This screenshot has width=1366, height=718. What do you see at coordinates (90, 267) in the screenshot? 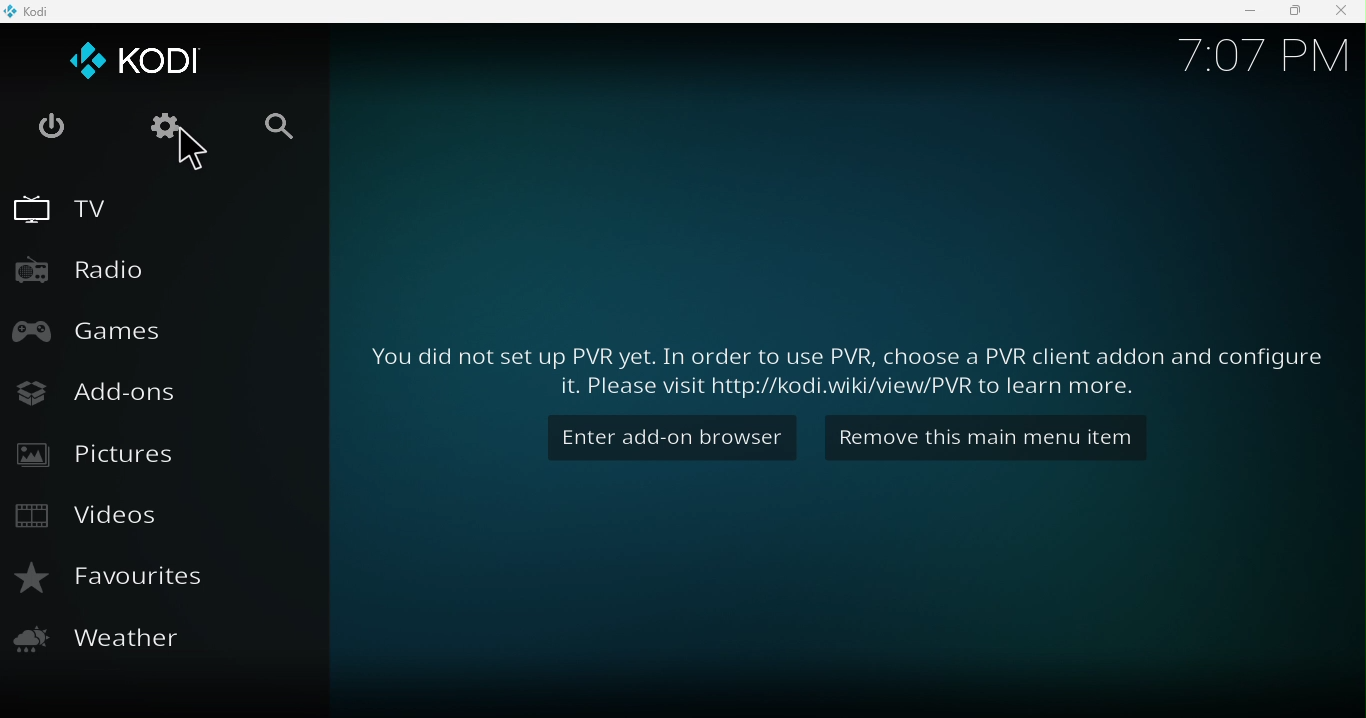
I see `Radio` at bounding box center [90, 267].